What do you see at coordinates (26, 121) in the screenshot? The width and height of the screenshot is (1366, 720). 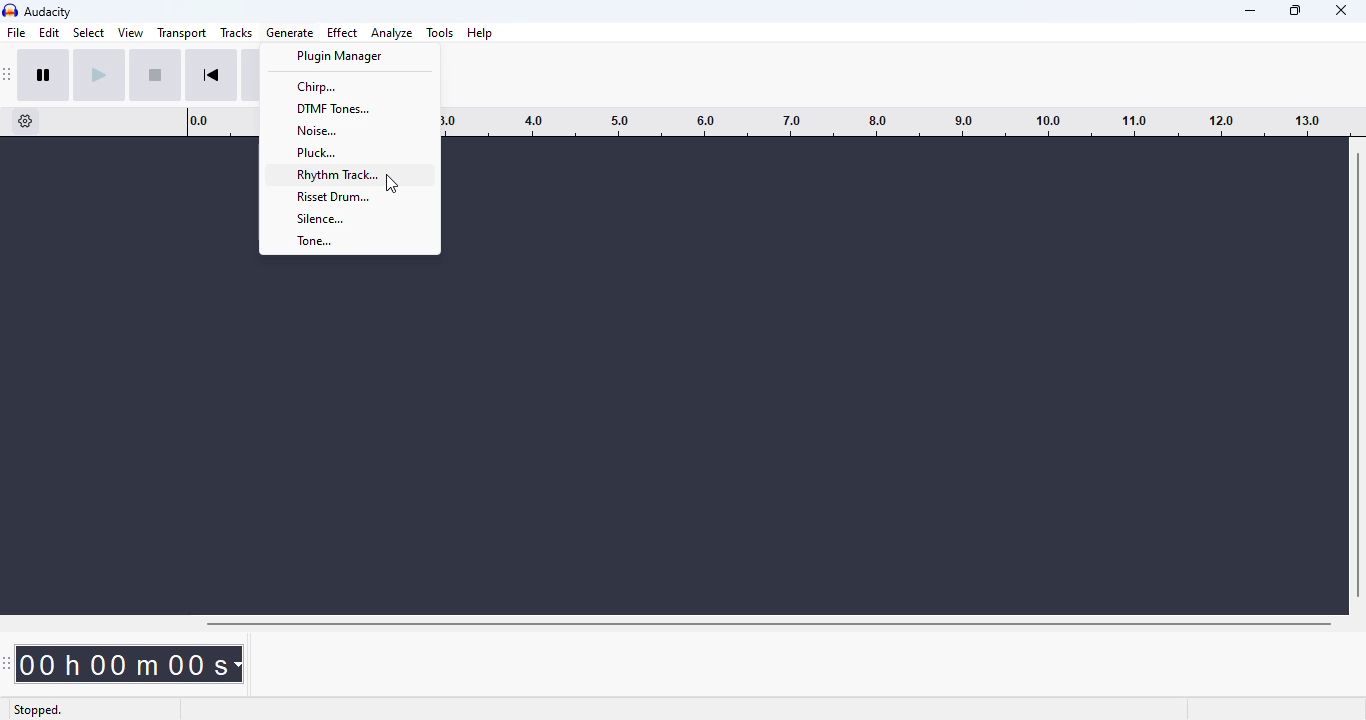 I see `timeline options` at bounding box center [26, 121].